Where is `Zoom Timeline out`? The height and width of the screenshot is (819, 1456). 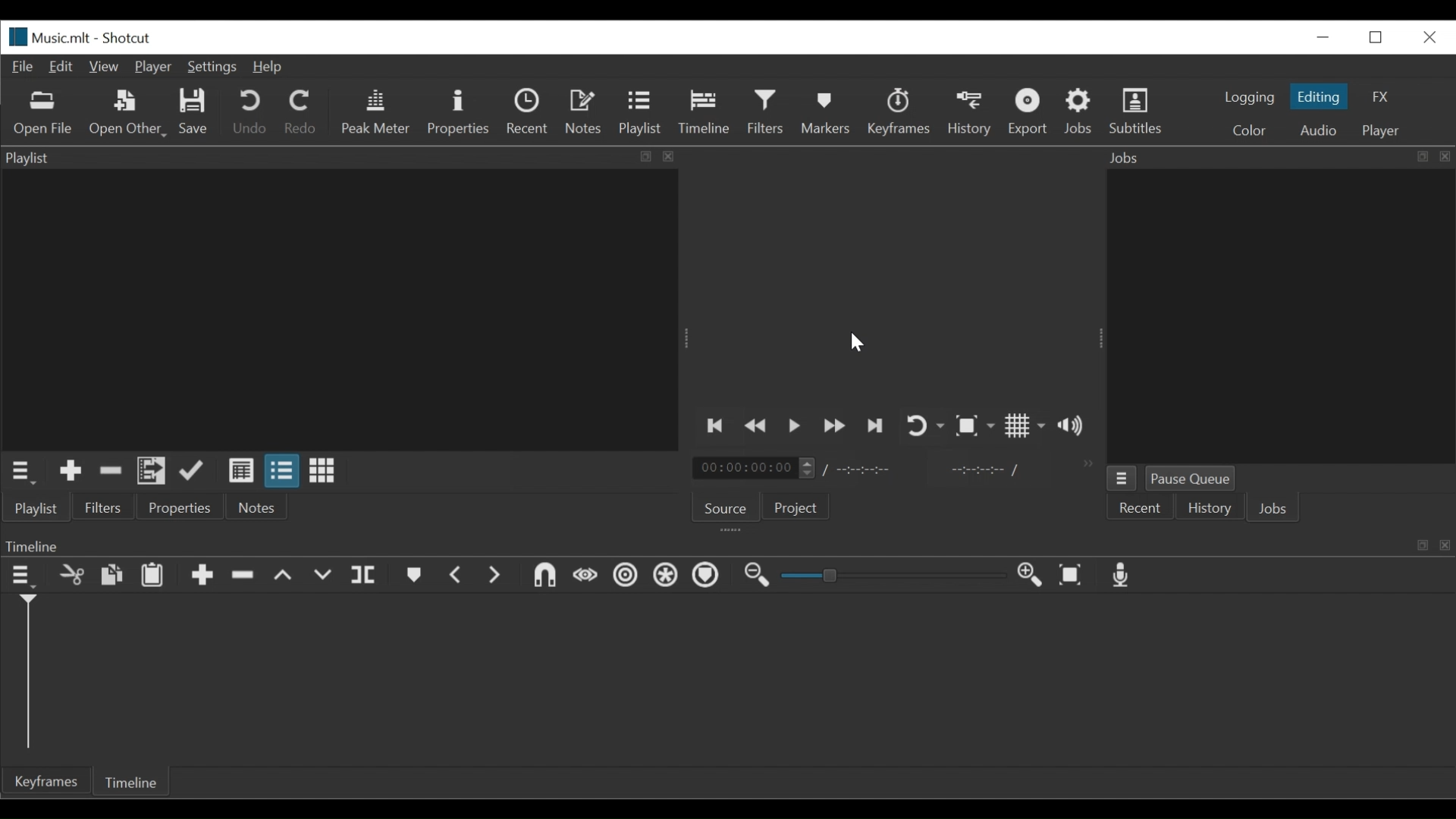
Zoom Timeline out is located at coordinates (756, 576).